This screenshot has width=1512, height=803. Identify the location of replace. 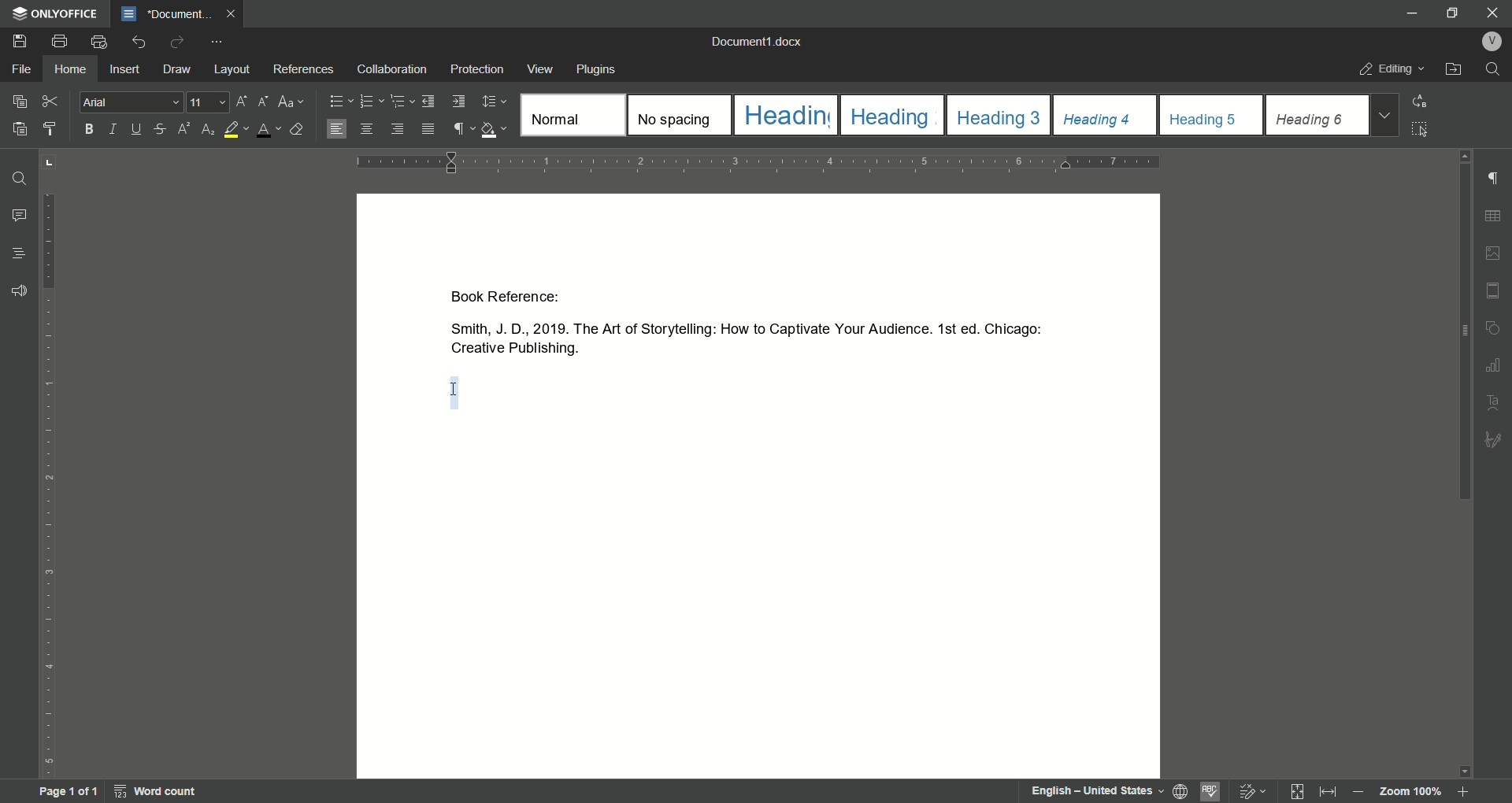
(1426, 101).